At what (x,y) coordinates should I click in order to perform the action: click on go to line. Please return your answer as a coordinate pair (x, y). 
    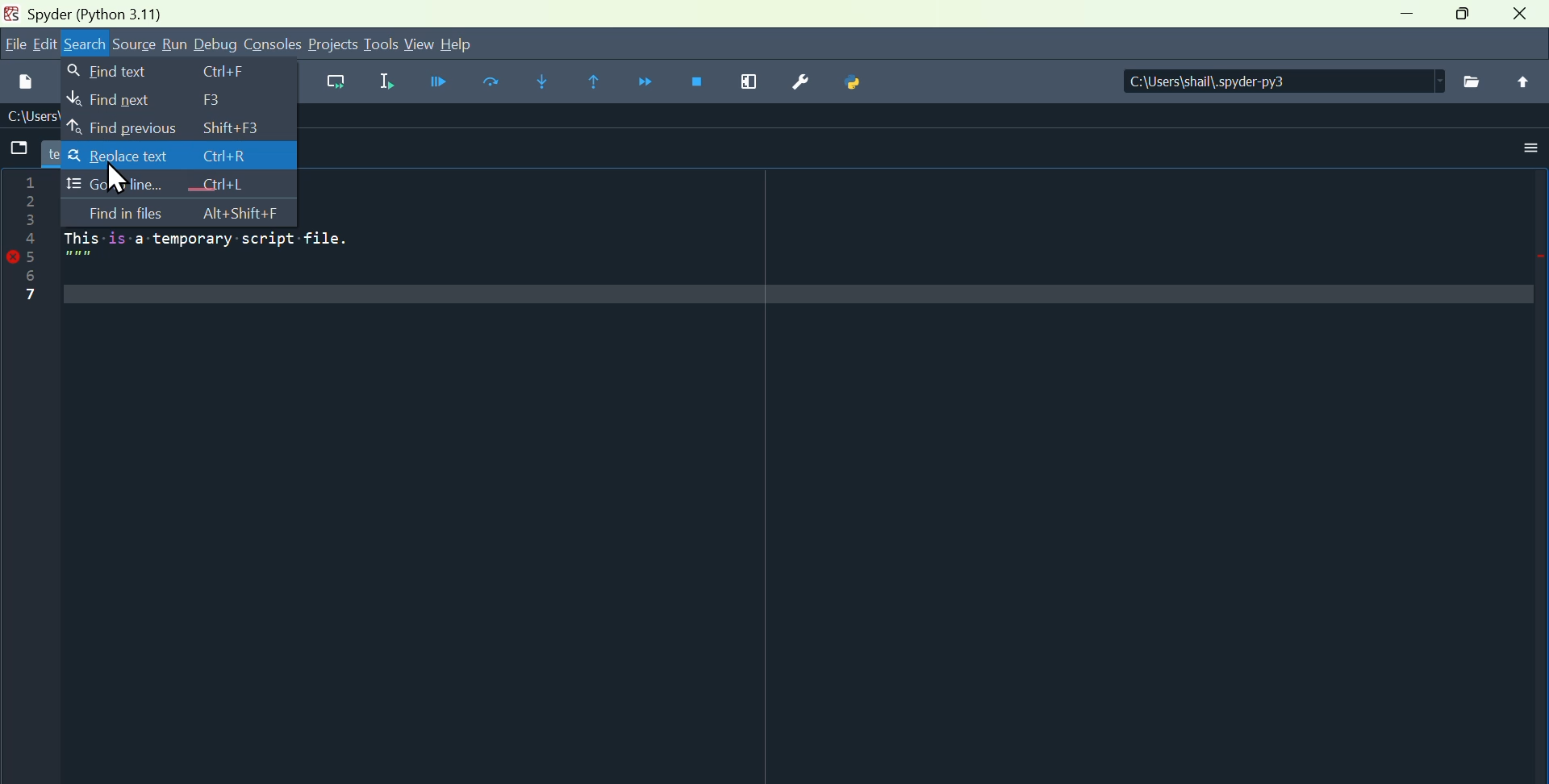
    Looking at the image, I should click on (177, 184).